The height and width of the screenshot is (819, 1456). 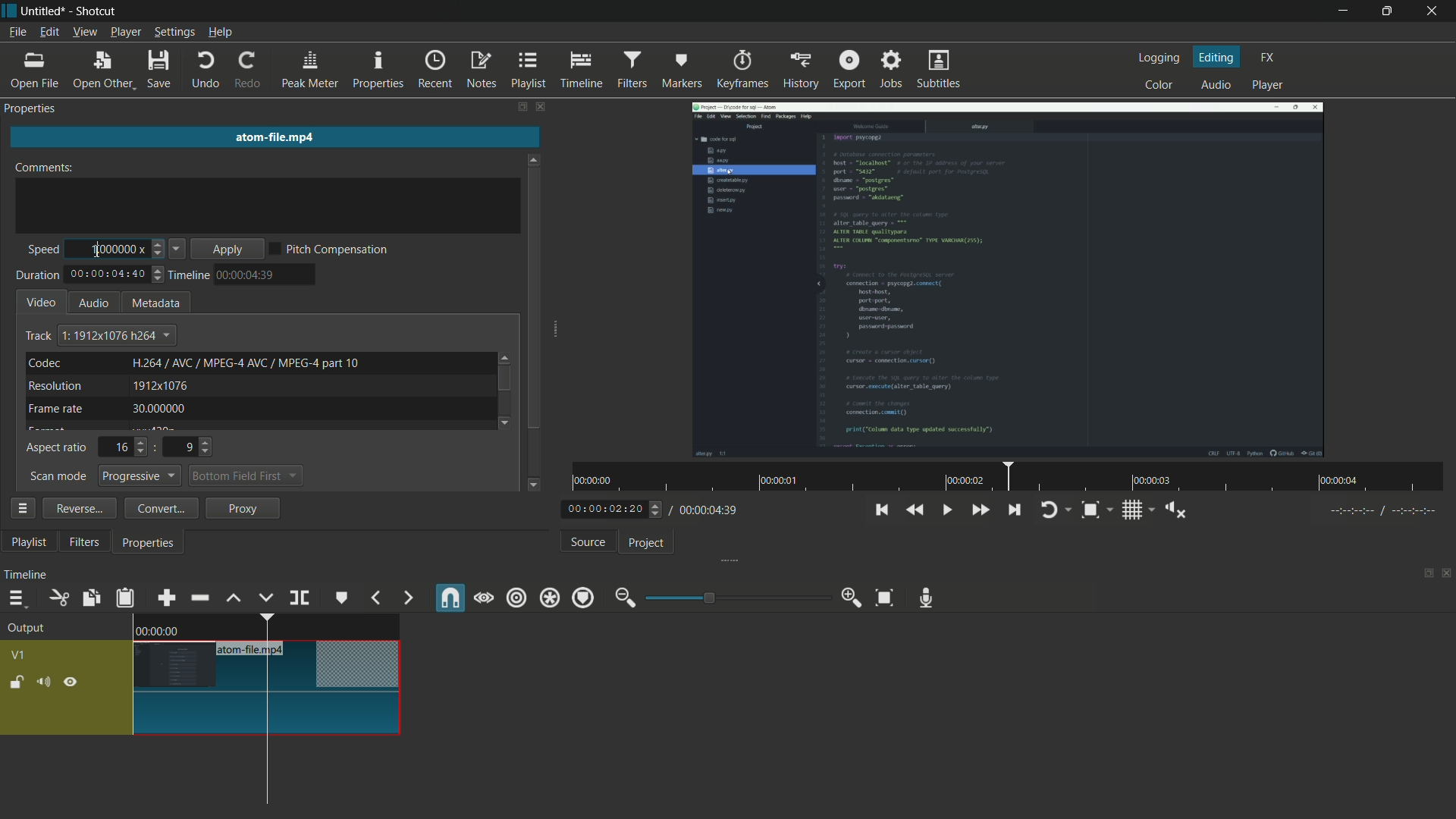 What do you see at coordinates (743, 68) in the screenshot?
I see `keyframes` at bounding box center [743, 68].